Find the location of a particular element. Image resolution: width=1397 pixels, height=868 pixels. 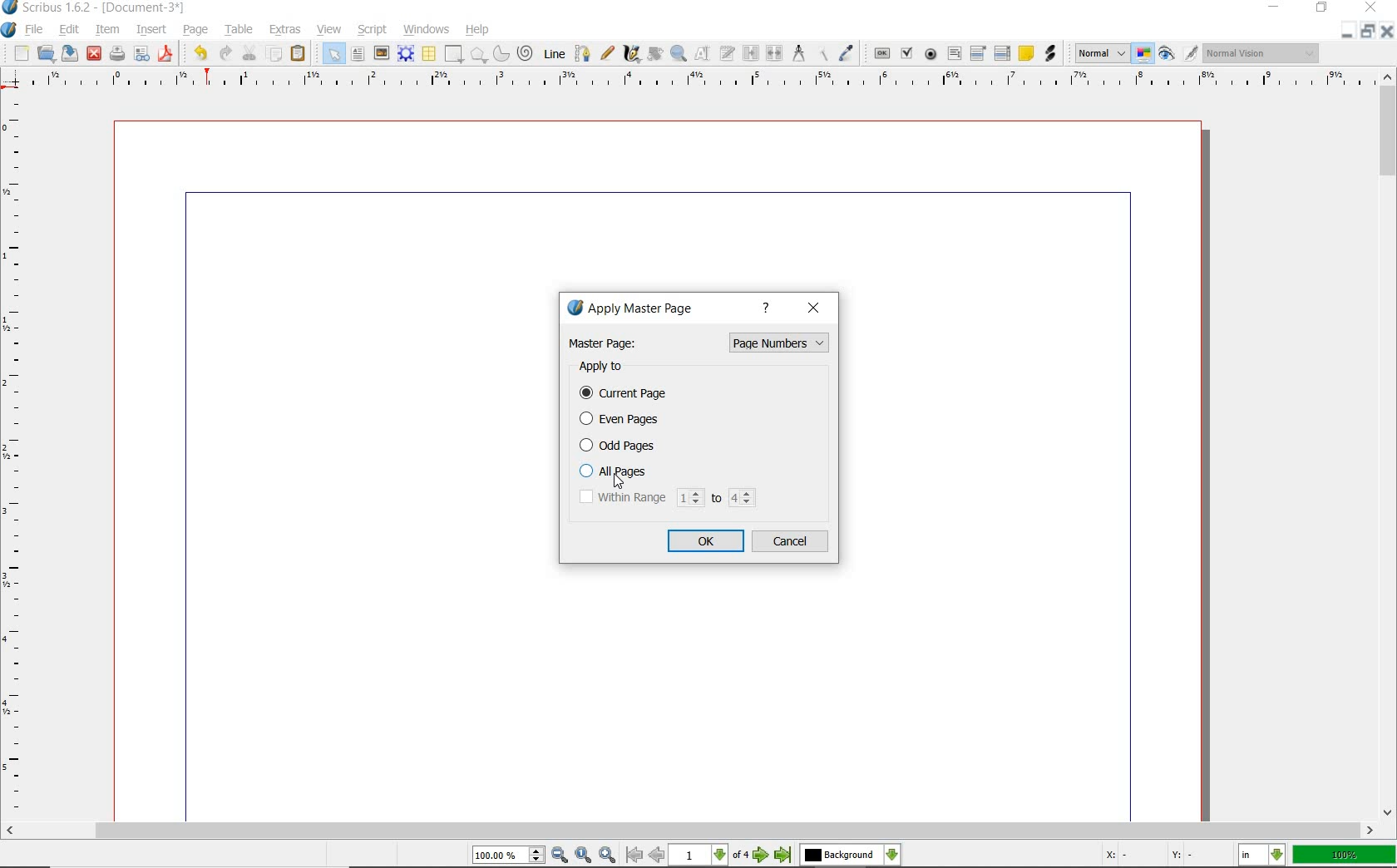

item is located at coordinates (106, 30).